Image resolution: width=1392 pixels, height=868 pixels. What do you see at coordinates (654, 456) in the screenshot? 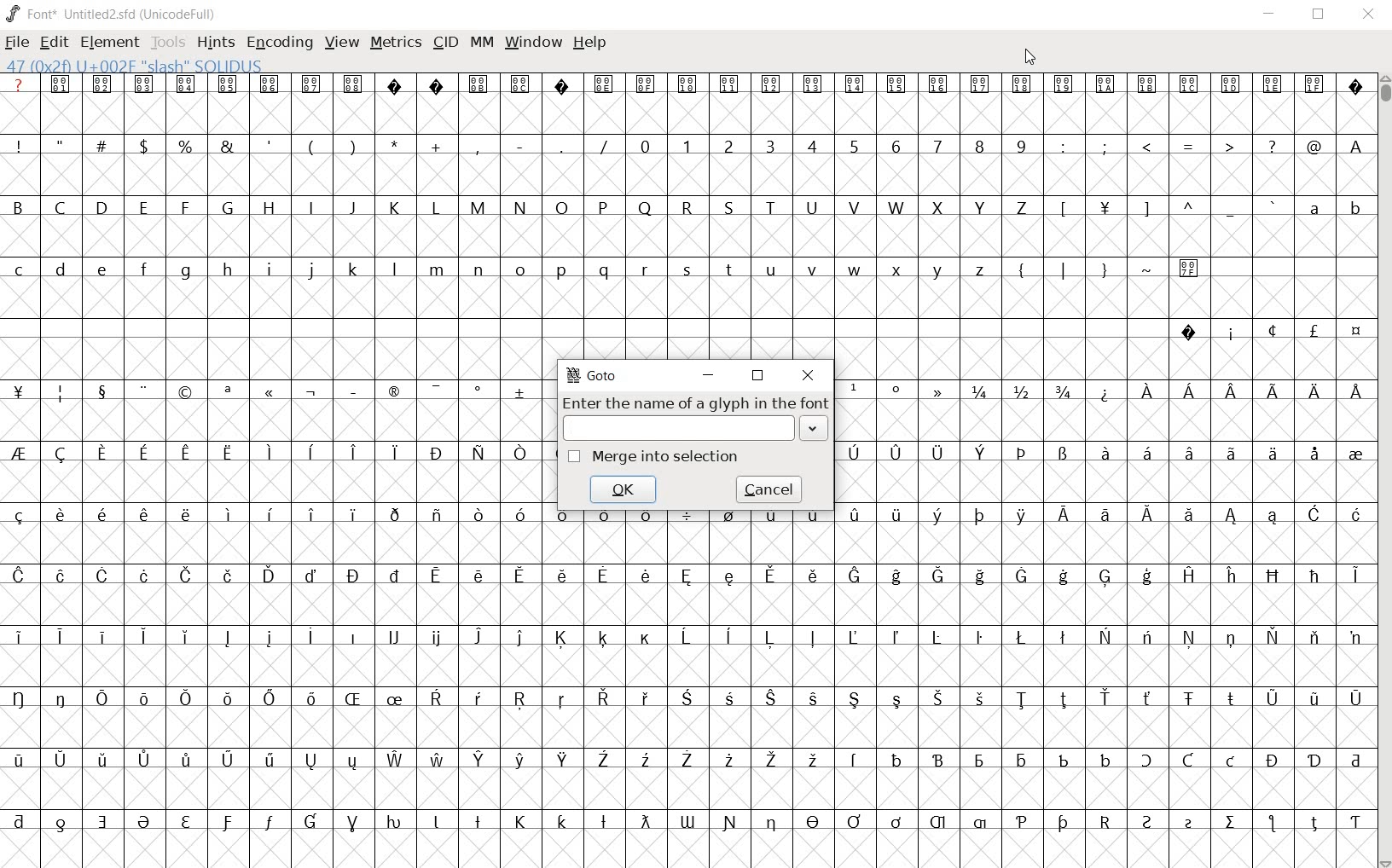
I see `Merge into selection` at bounding box center [654, 456].